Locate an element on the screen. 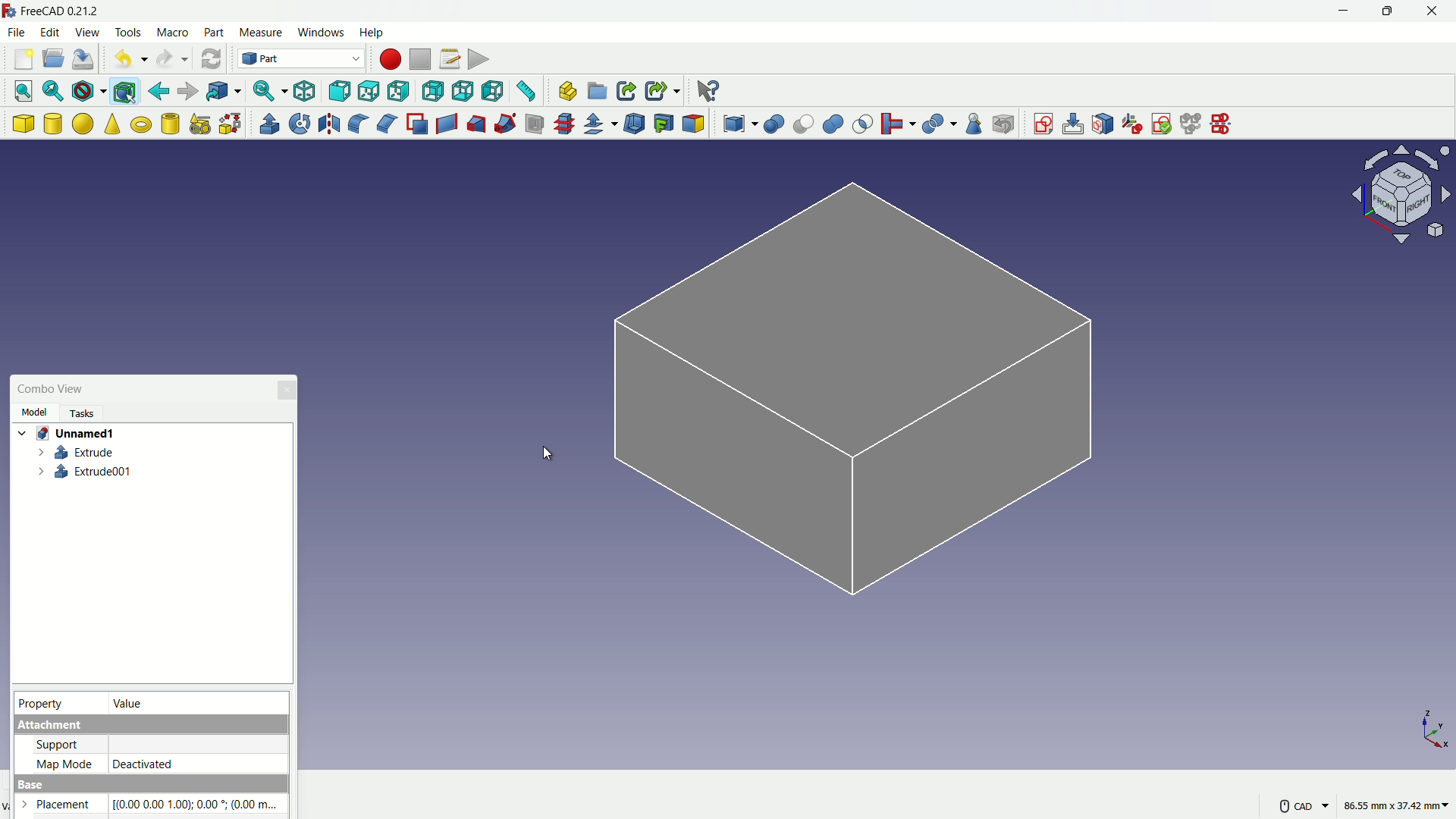 The width and height of the screenshot is (1456, 819). switch workbenches is located at coordinates (301, 59).